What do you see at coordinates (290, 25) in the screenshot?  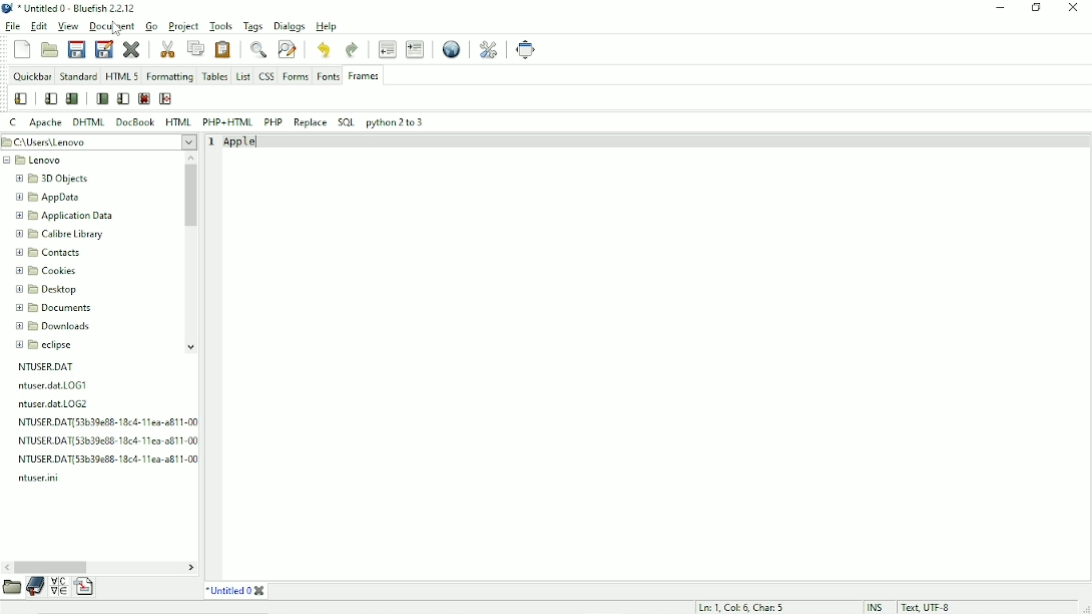 I see `Dialogs` at bounding box center [290, 25].